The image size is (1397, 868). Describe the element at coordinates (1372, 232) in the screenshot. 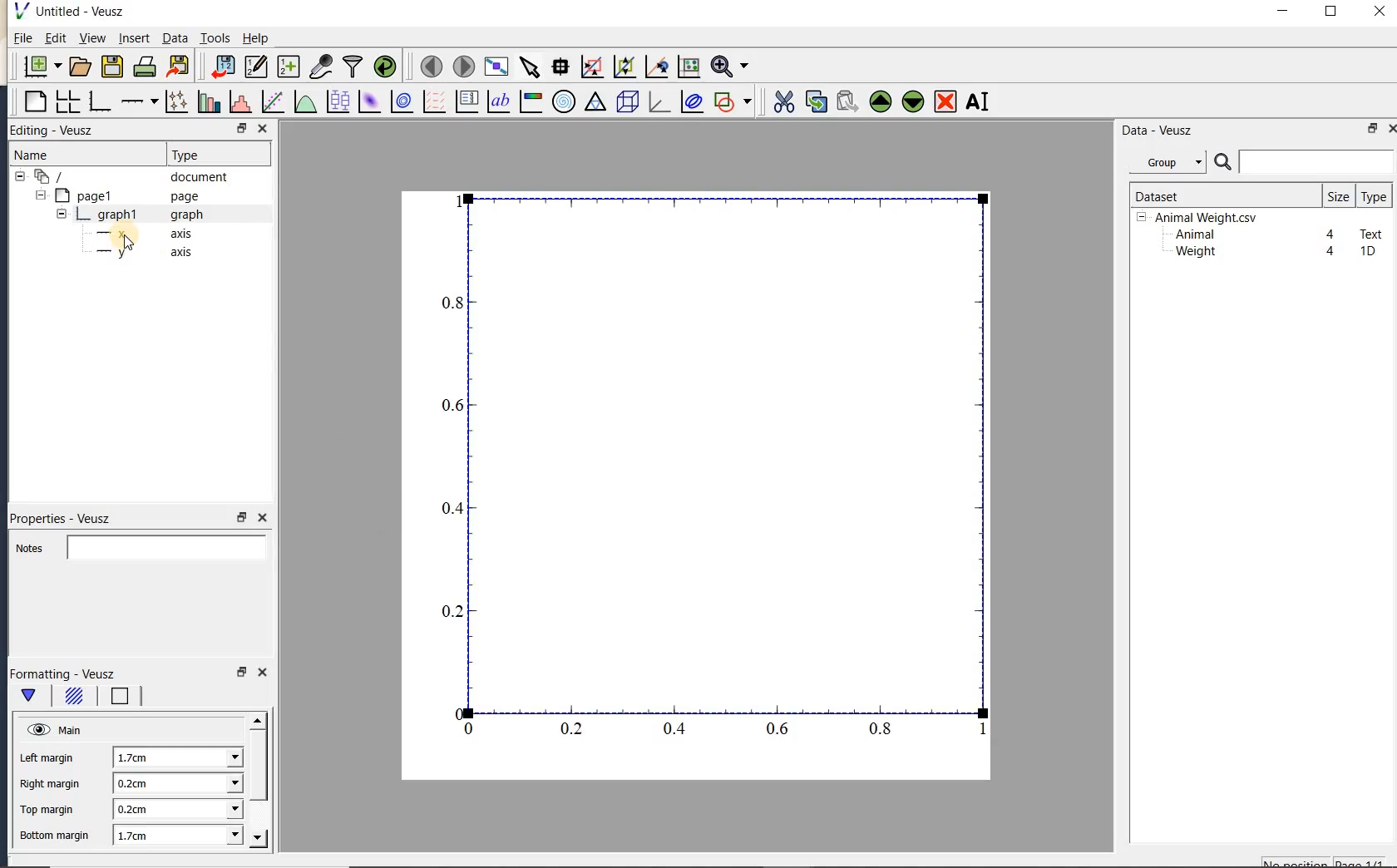

I see `Text` at that location.